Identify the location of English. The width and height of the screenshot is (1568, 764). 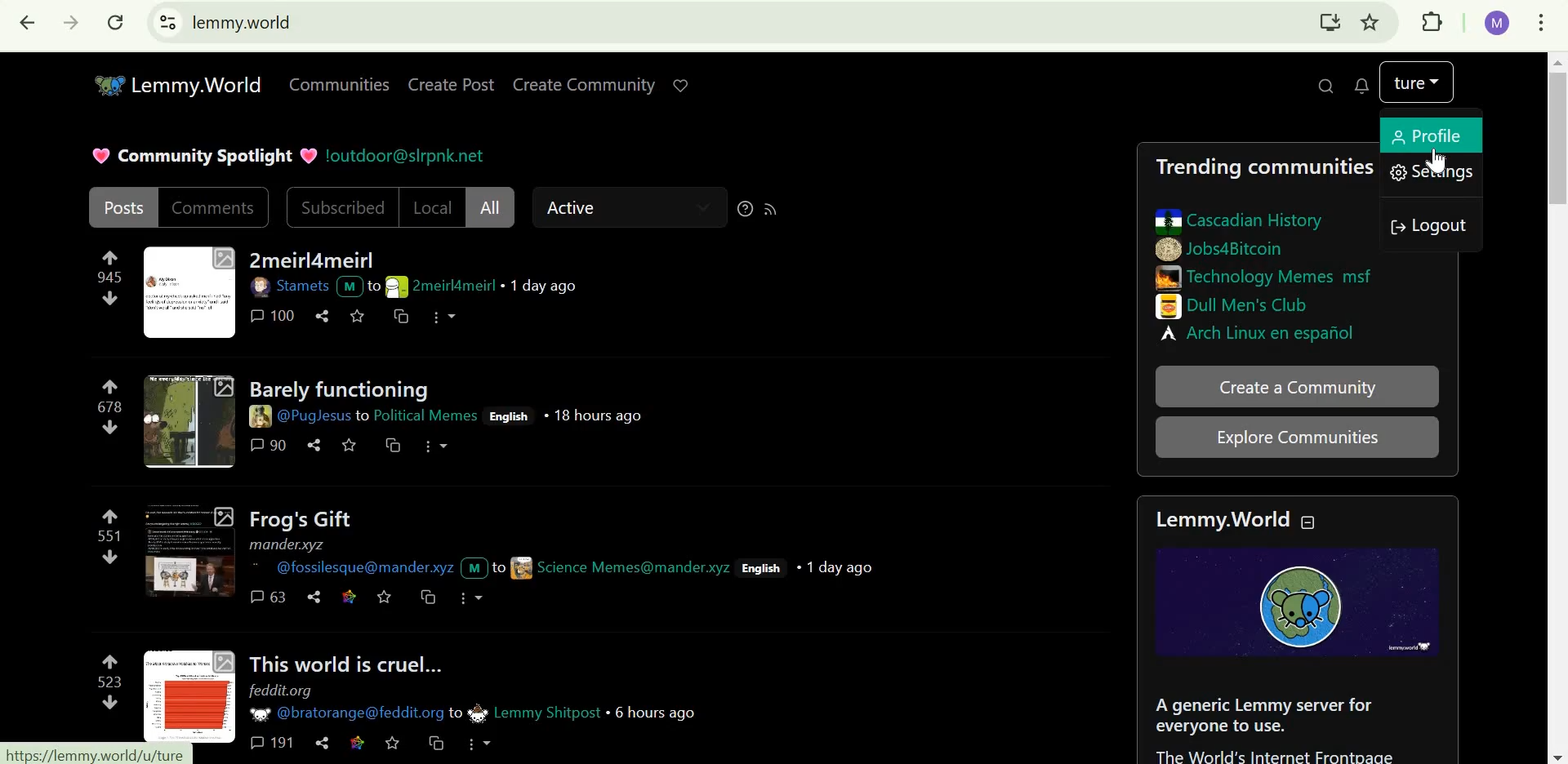
(764, 569).